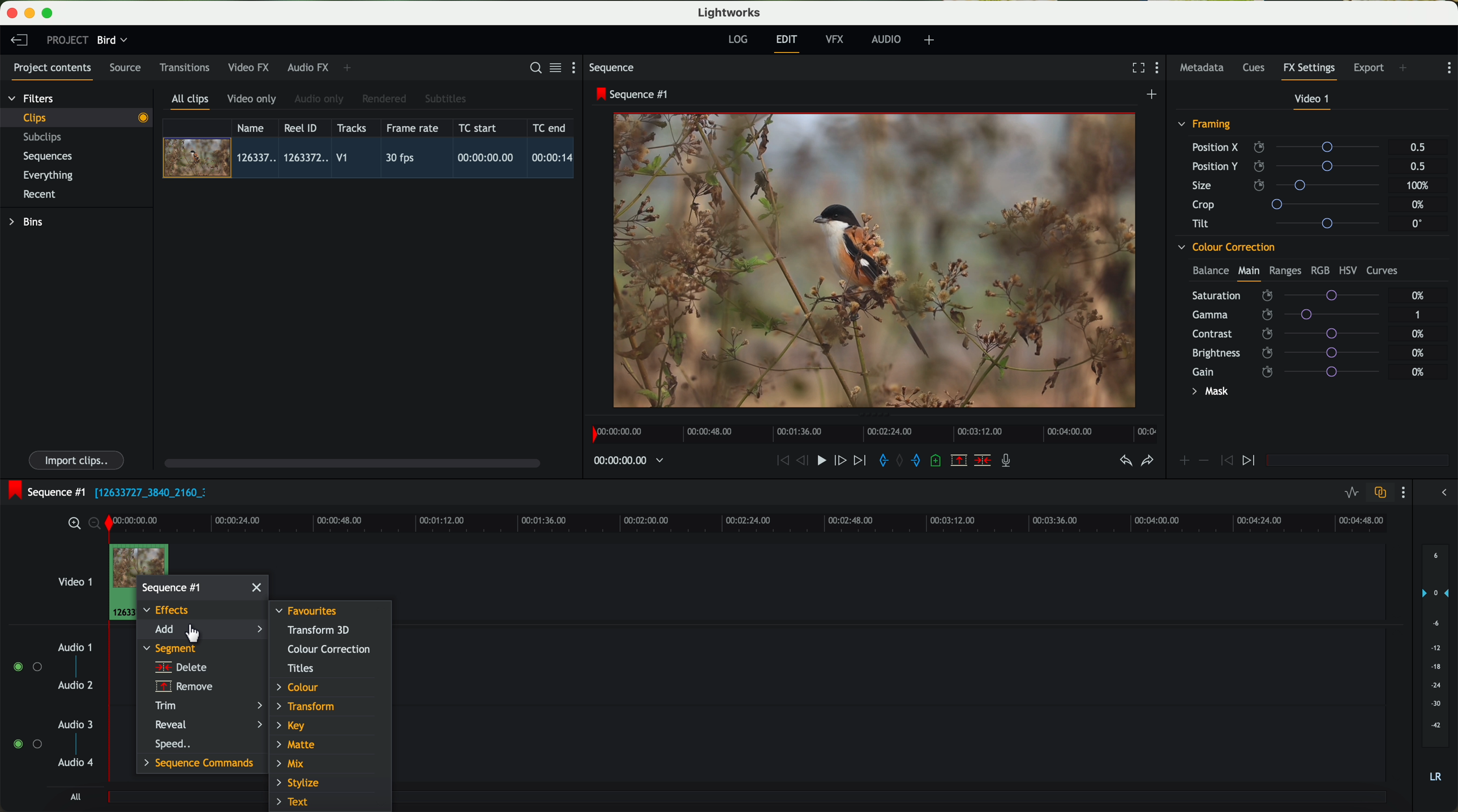 The image size is (1458, 812). I want to click on 0.5, so click(1418, 148).